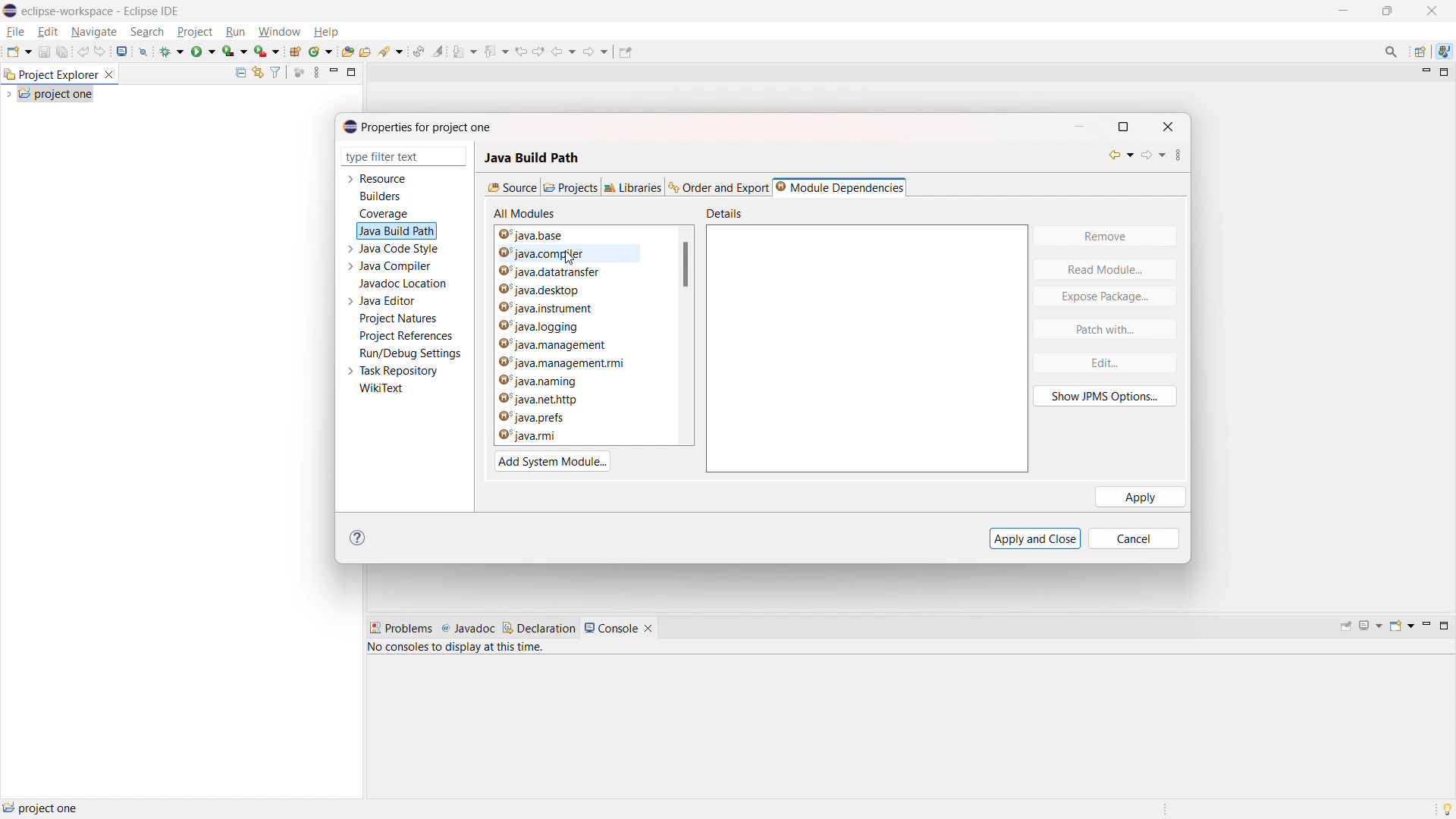 This screenshot has height=819, width=1456. What do you see at coordinates (1130, 126) in the screenshot?
I see `maximize` at bounding box center [1130, 126].